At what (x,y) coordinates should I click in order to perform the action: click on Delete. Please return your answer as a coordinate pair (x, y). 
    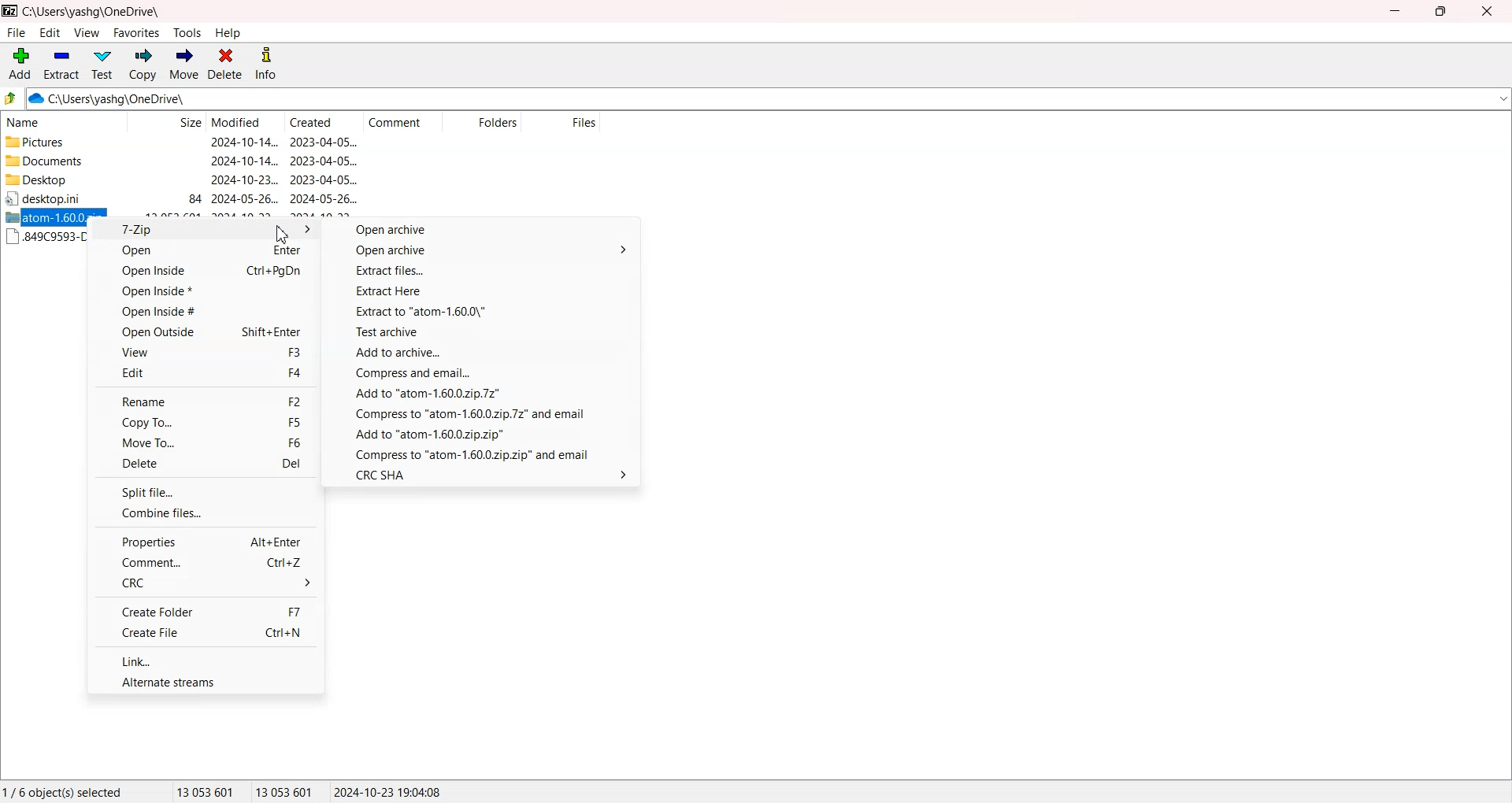
    Looking at the image, I should click on (205, 464).